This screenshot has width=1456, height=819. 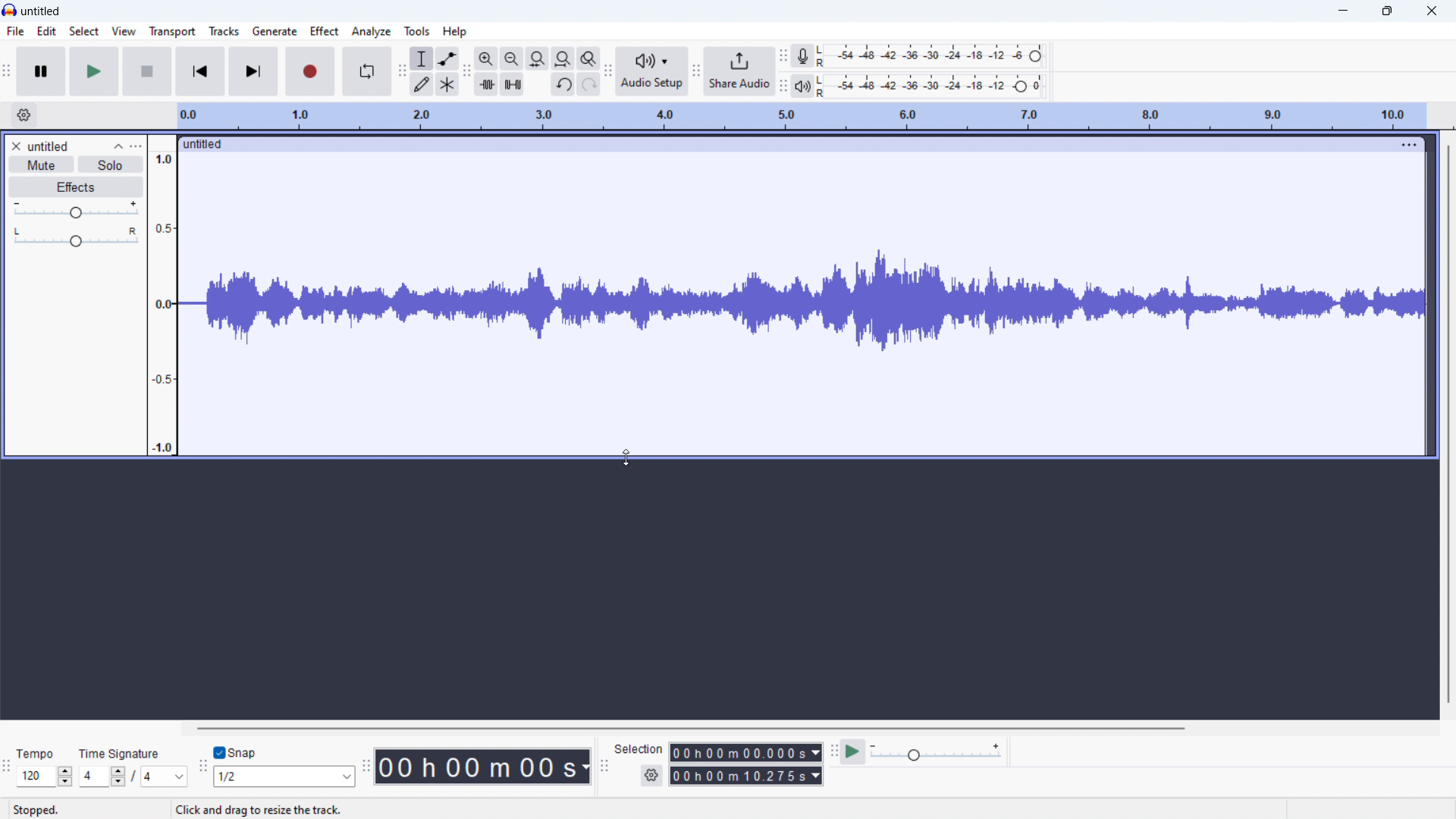 What do you see at coordinates (372, 32) in the screenshot?
I see `analyze` at bounding box center [372, 32].